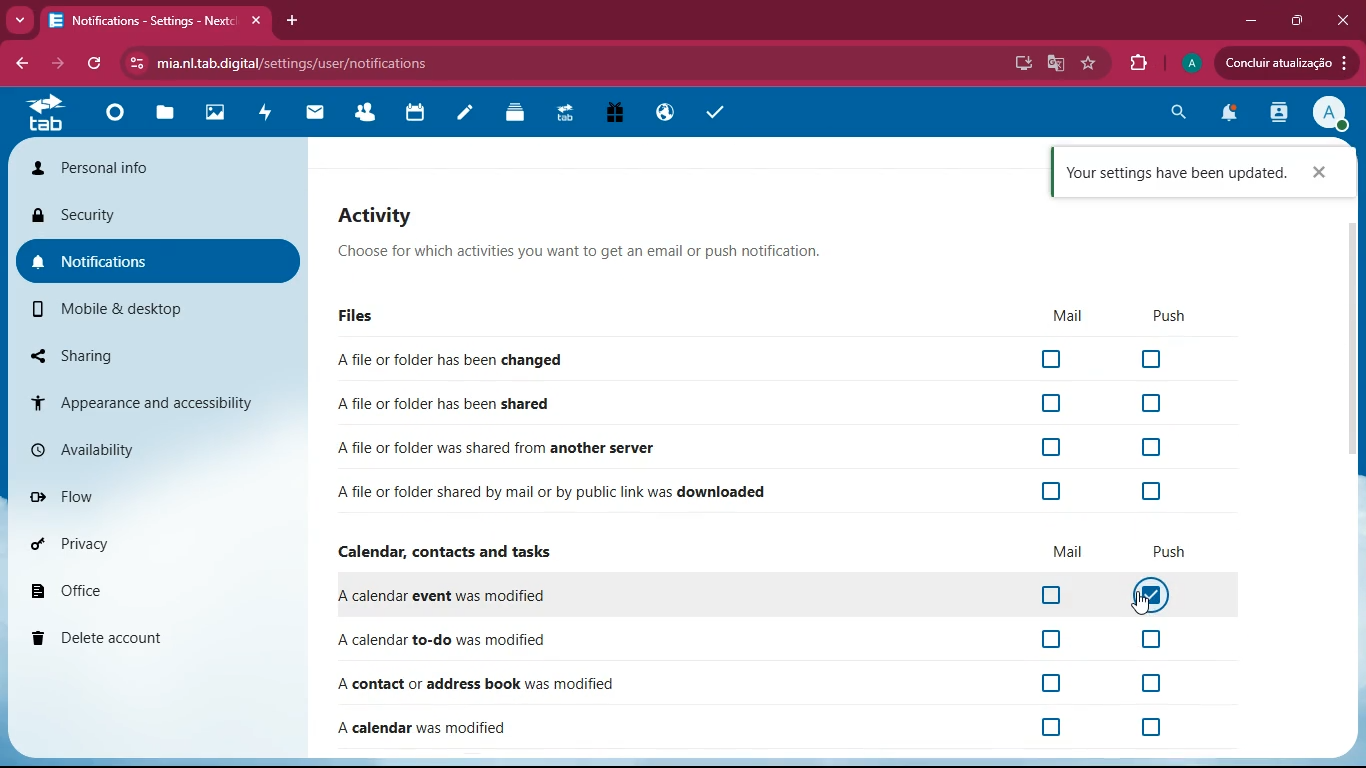 The width and height of the screenshot is (1366, 768). Describe the element at coordinates (1192, 61) in the screenshot. I see `Profile` at that location.